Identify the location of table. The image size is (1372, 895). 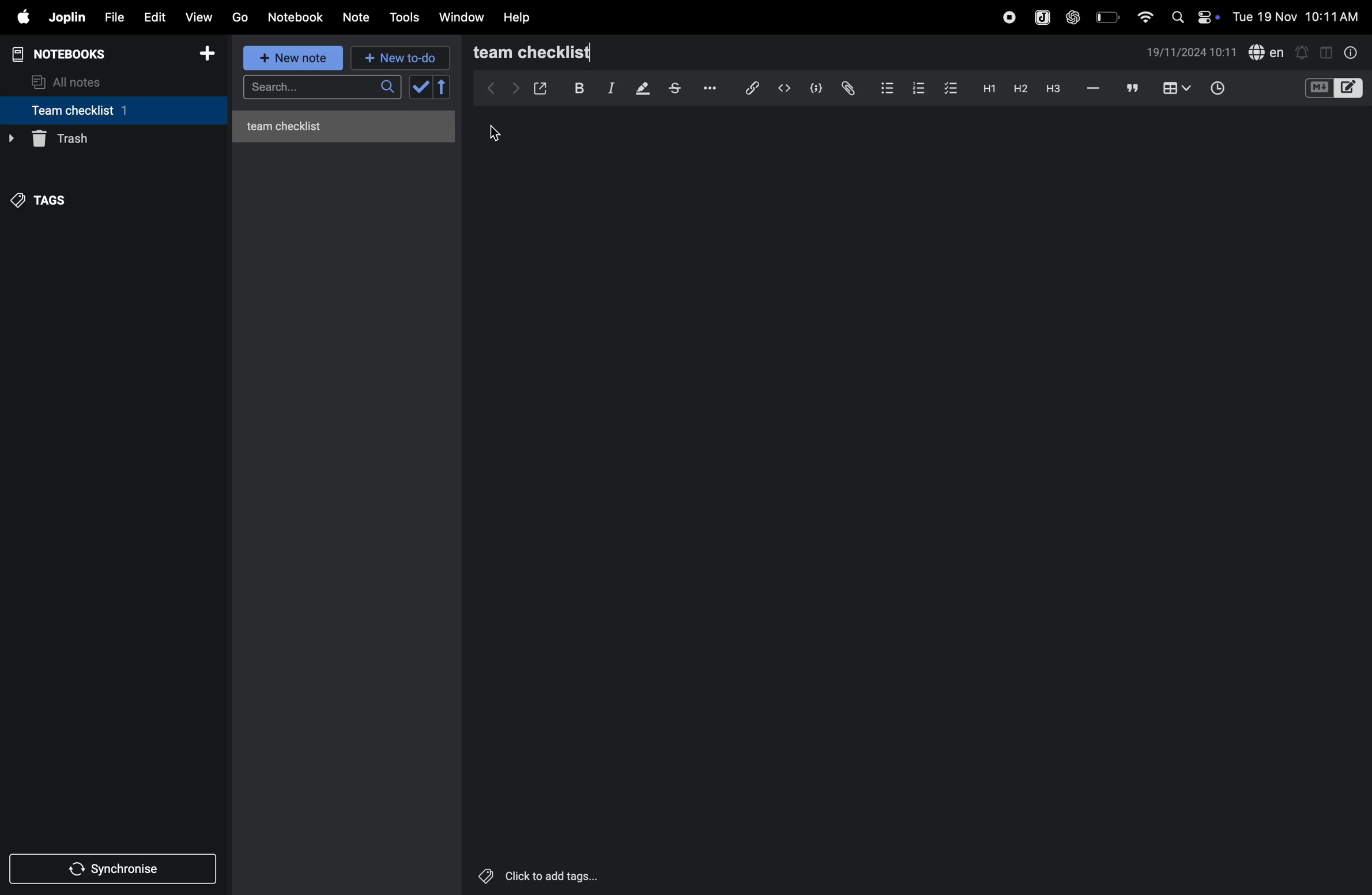
(1175, 88).